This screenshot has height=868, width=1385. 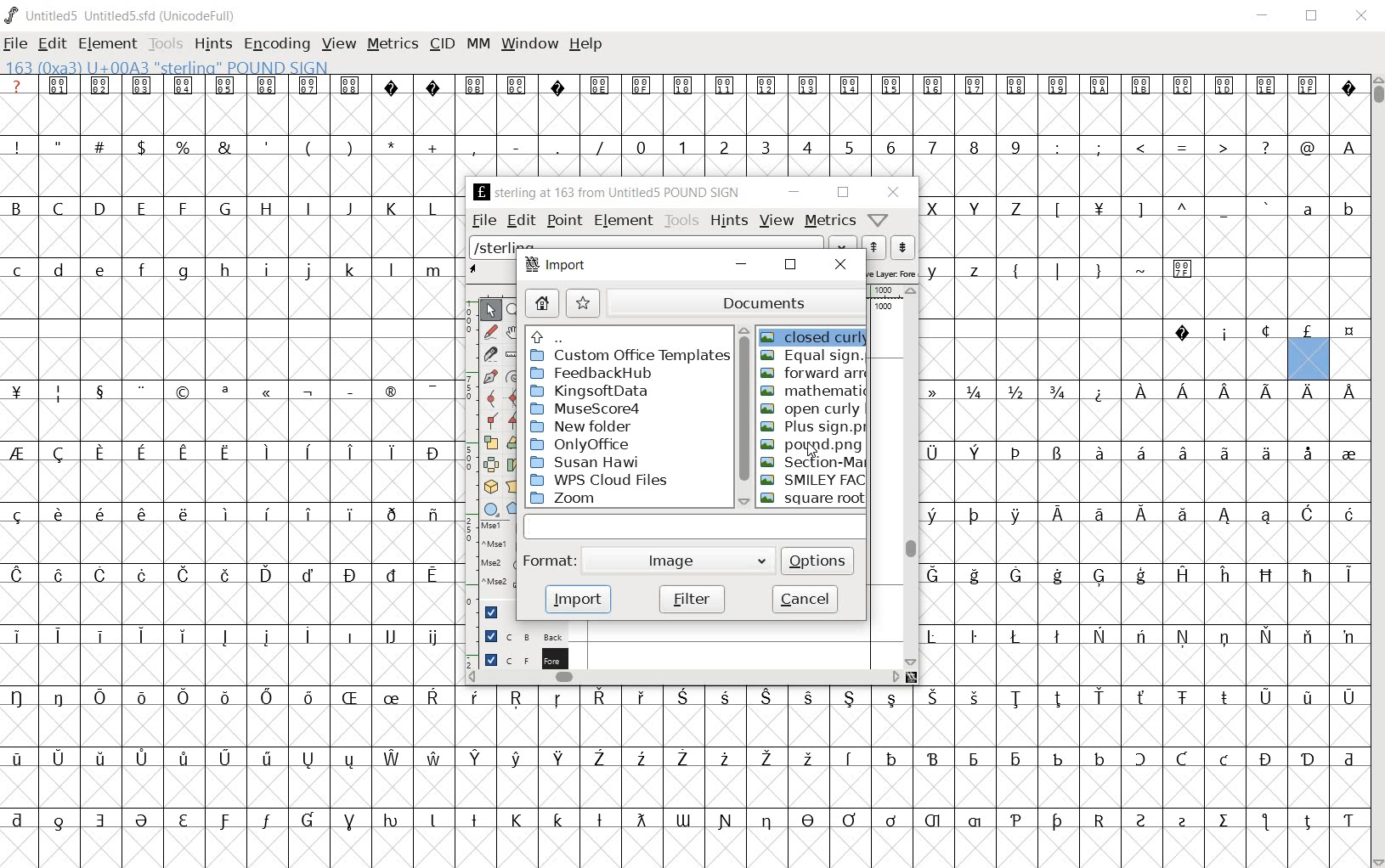 What do you see at coordinates (1017, 698) in the screenshot?
I see `Symbol` at bounding box center [1017, 698].